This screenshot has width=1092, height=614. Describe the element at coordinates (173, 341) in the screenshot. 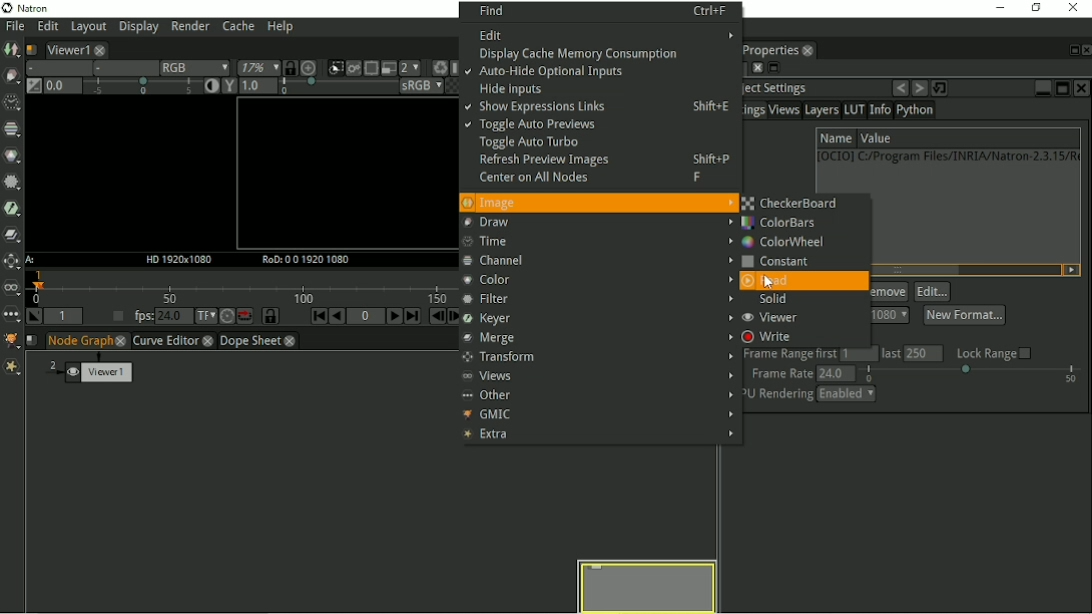

I see `Curve Editor` at that location.